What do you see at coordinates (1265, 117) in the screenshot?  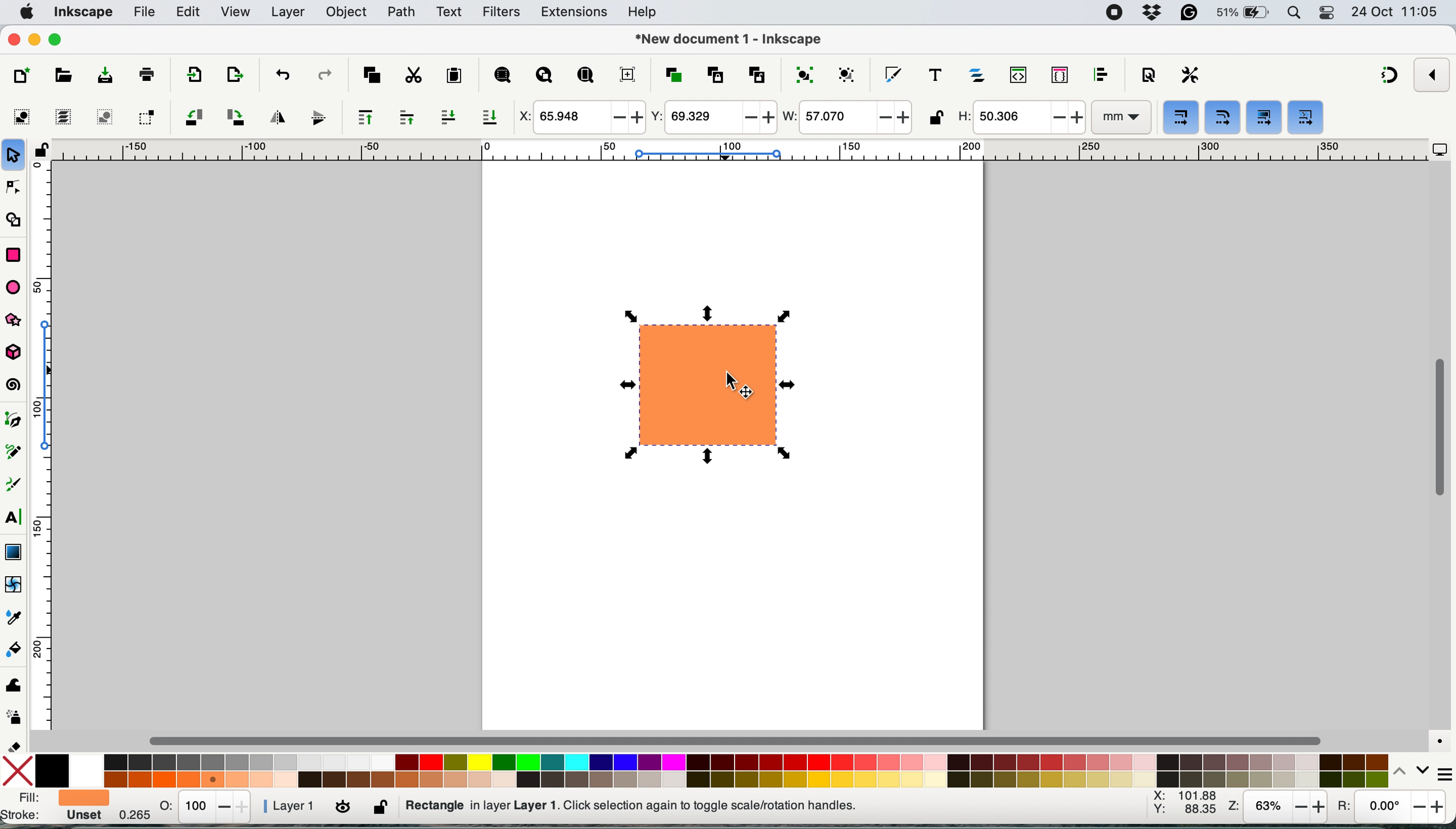 I see `move gradients` at bounding box center [1265, 117].